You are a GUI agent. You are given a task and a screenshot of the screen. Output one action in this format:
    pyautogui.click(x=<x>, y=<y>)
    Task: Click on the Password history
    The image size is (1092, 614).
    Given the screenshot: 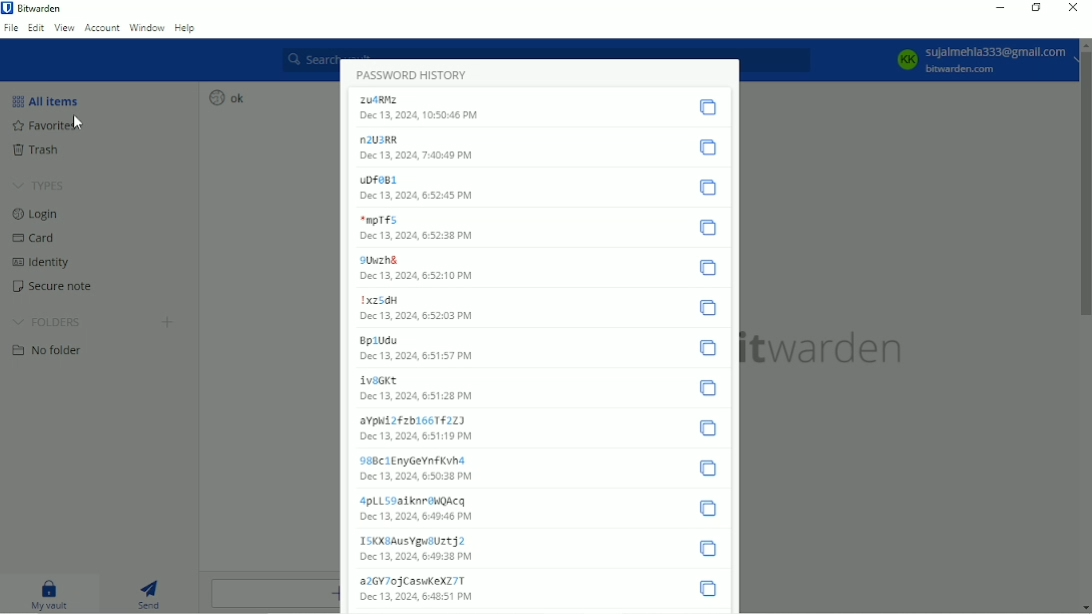 What is the action you would take?
    pyautogui.click(x=412, y=72)
    